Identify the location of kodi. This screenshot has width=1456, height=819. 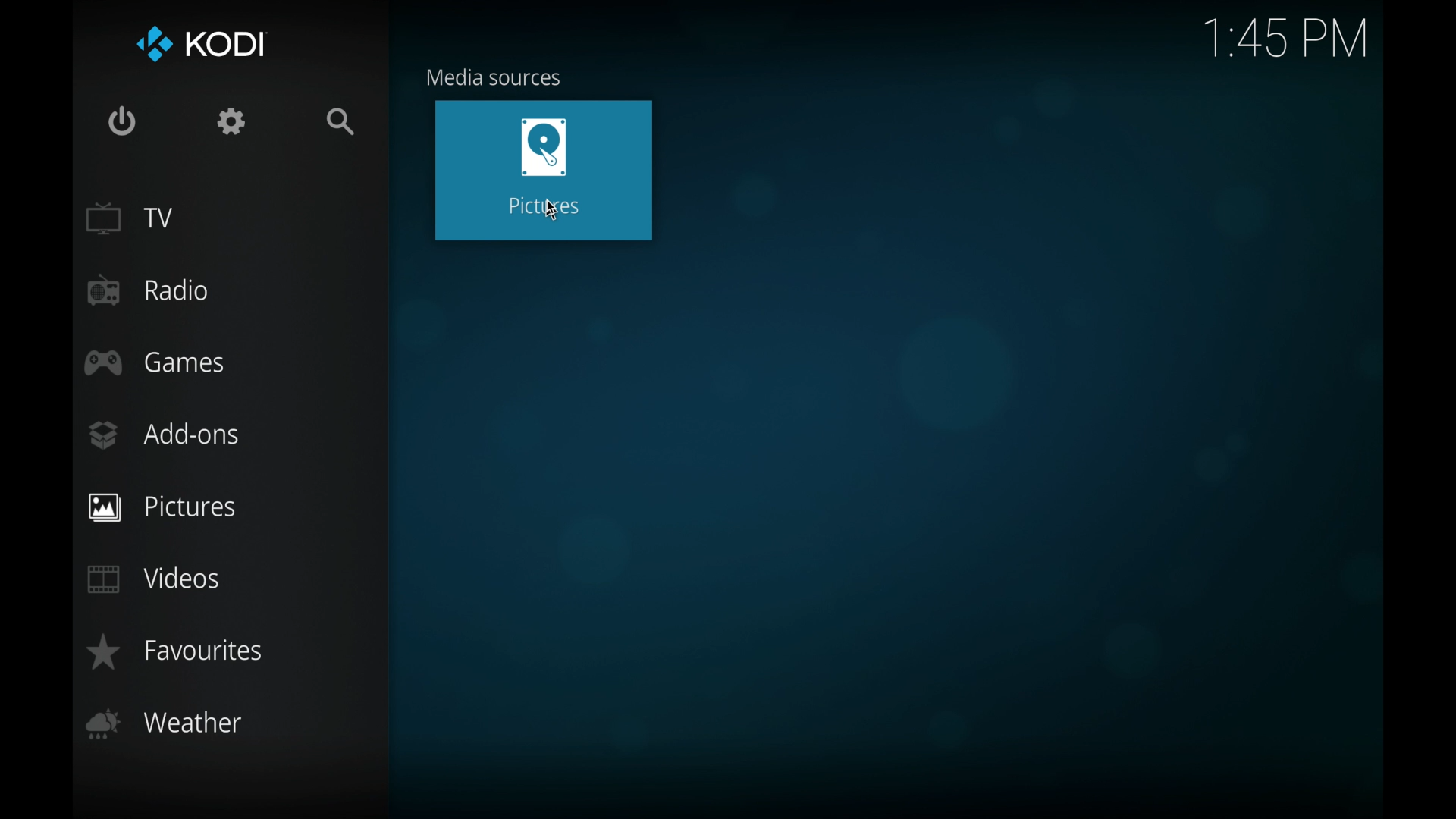
(199, 45).